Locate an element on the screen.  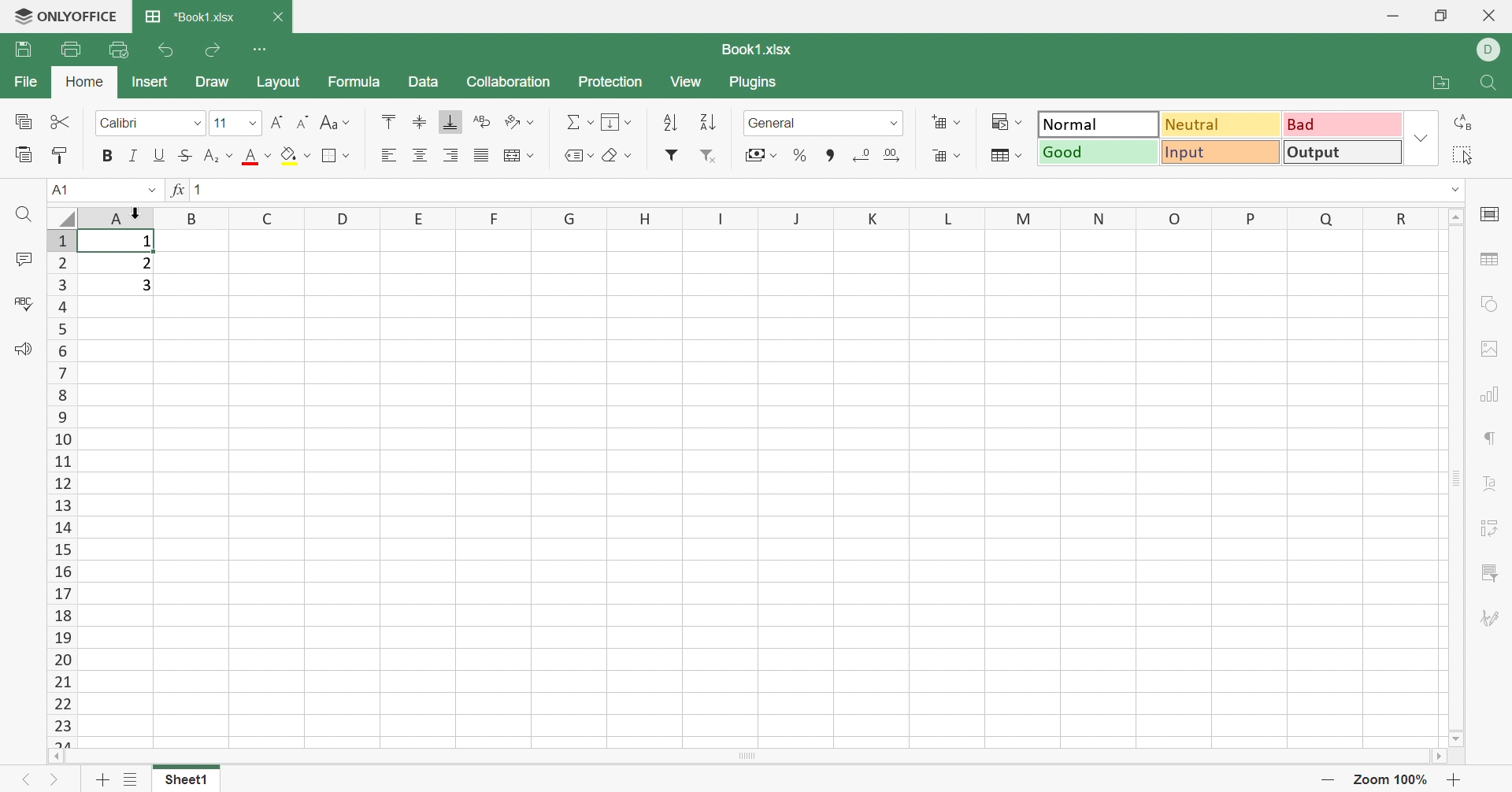
Align bottom is located at coordinates (450, 122).